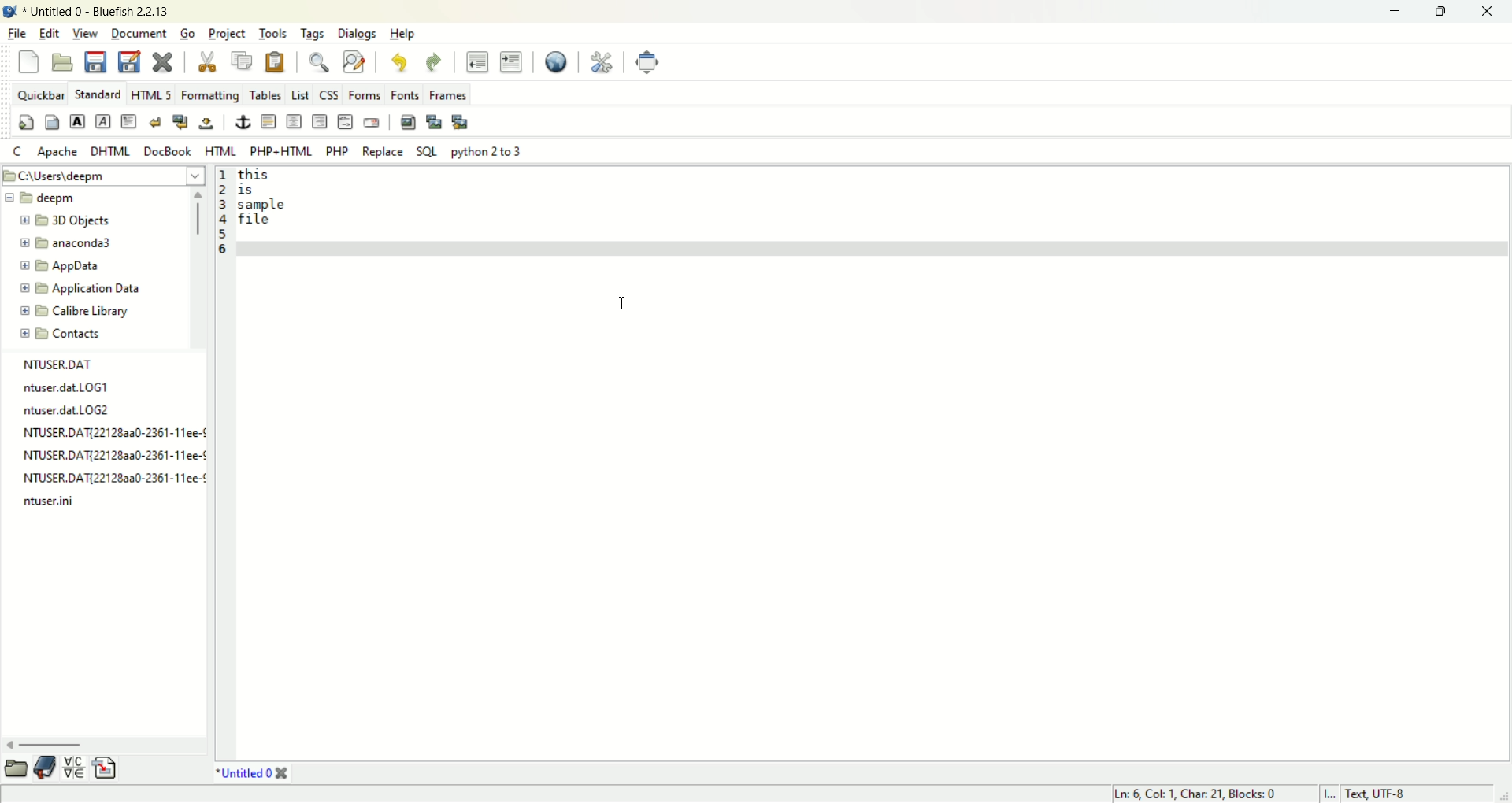 This screenshot has height=803, width=1512. What do you see at coordinates (28, 61) in the screenshot?
I see `new` at bounding box center [28, 61].